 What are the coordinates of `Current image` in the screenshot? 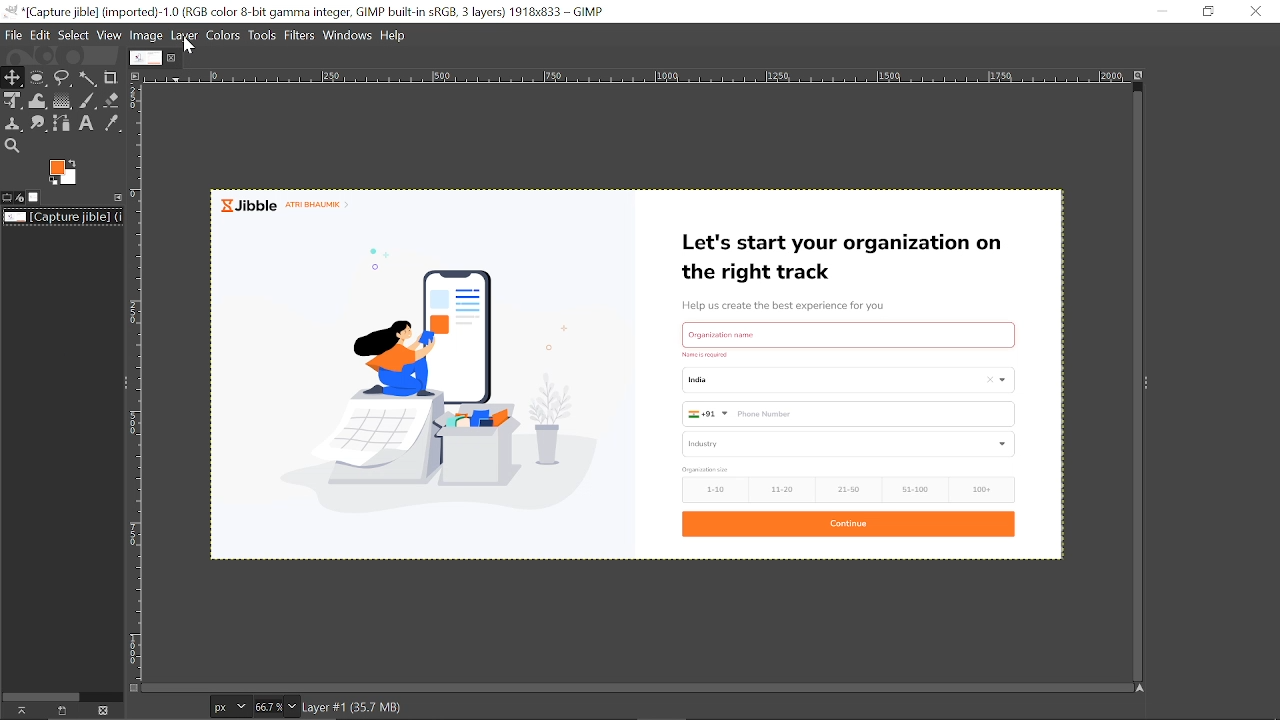 It's located at (641, 371).